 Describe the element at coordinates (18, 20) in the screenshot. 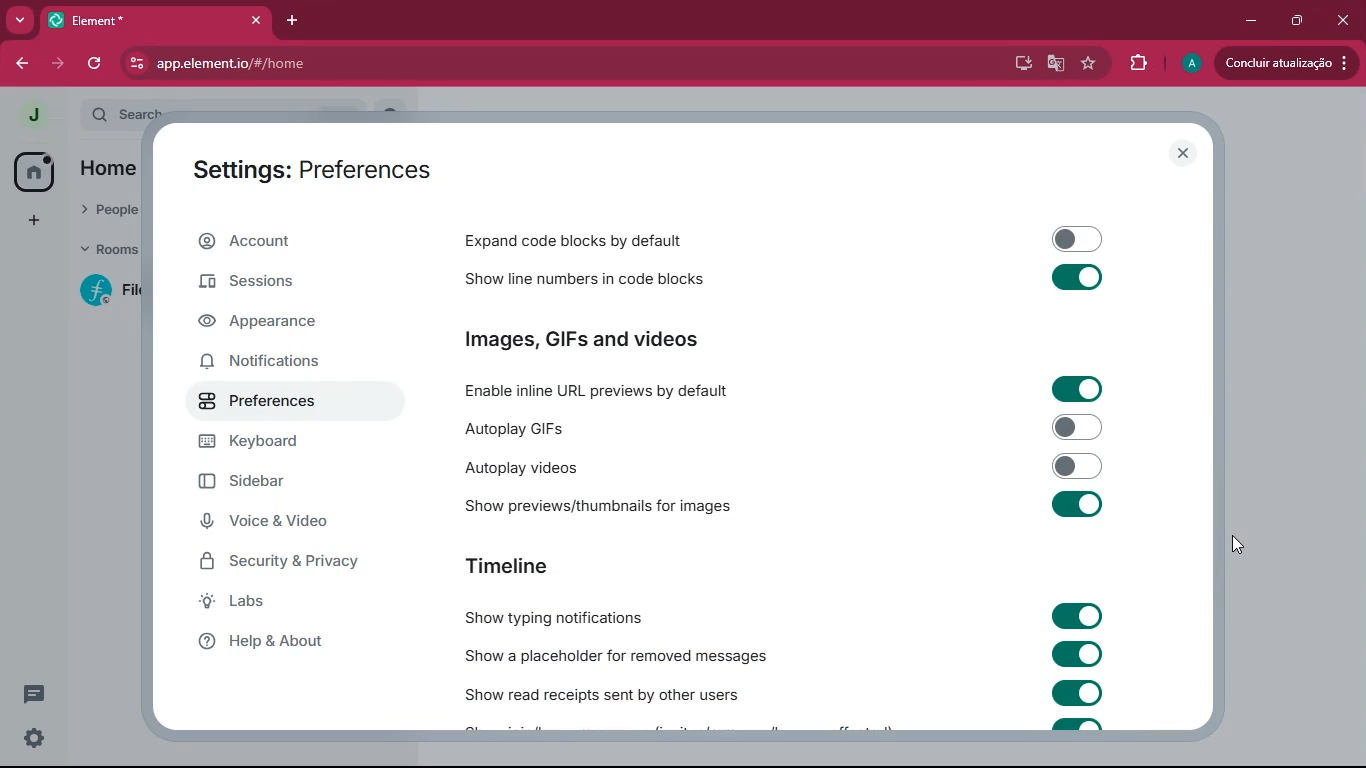

I see `more` at that location.